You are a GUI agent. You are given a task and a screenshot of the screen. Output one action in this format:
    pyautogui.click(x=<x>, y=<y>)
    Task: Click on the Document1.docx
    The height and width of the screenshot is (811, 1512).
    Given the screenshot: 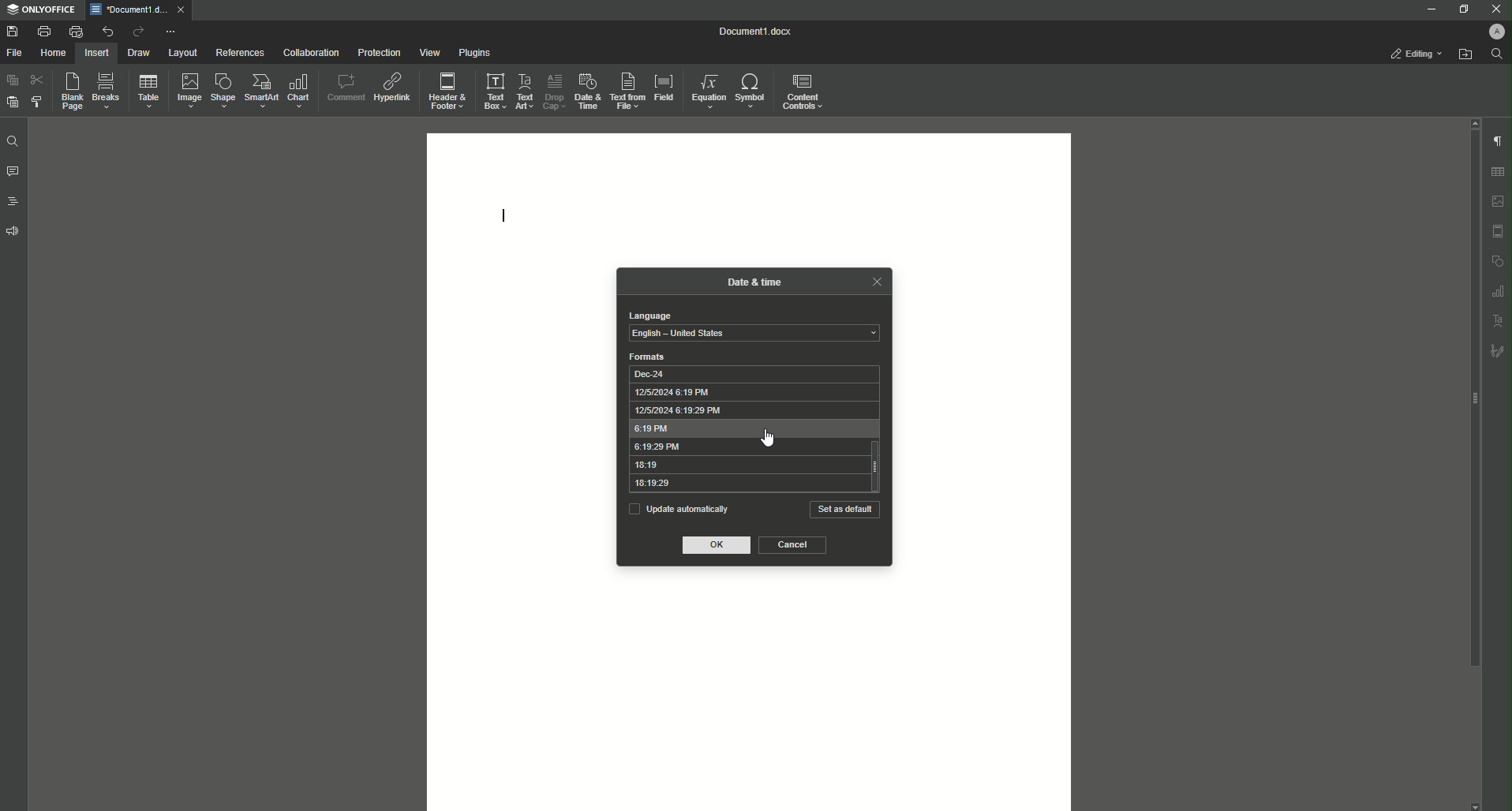 What is the action you would take?
    pyautogui.click(x=757, y=32)
    